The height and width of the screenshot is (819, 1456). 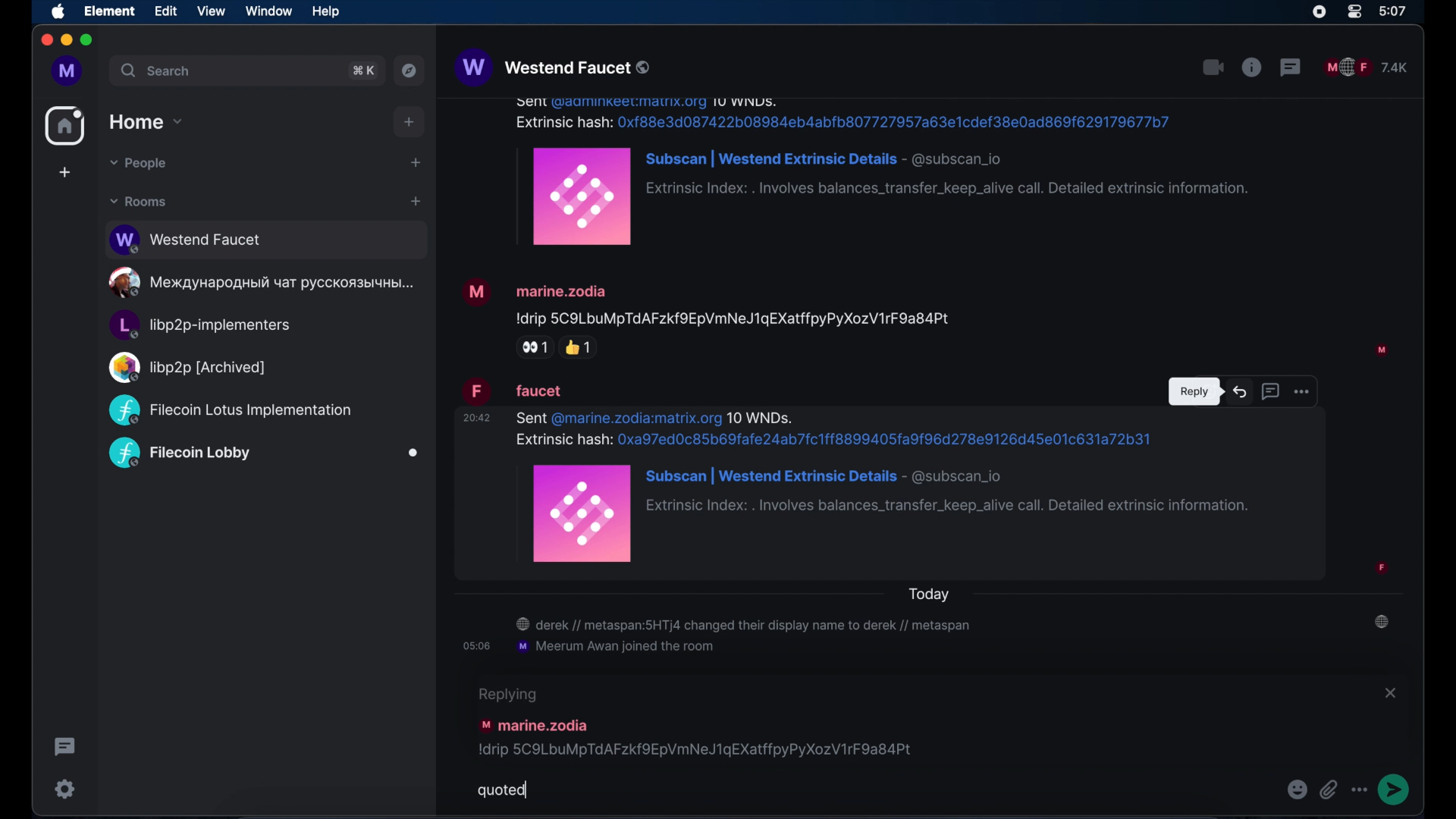 What do you see at coordinates (416, 202) in the screenshot?
I see `add room` at bounding box center [416, 202].